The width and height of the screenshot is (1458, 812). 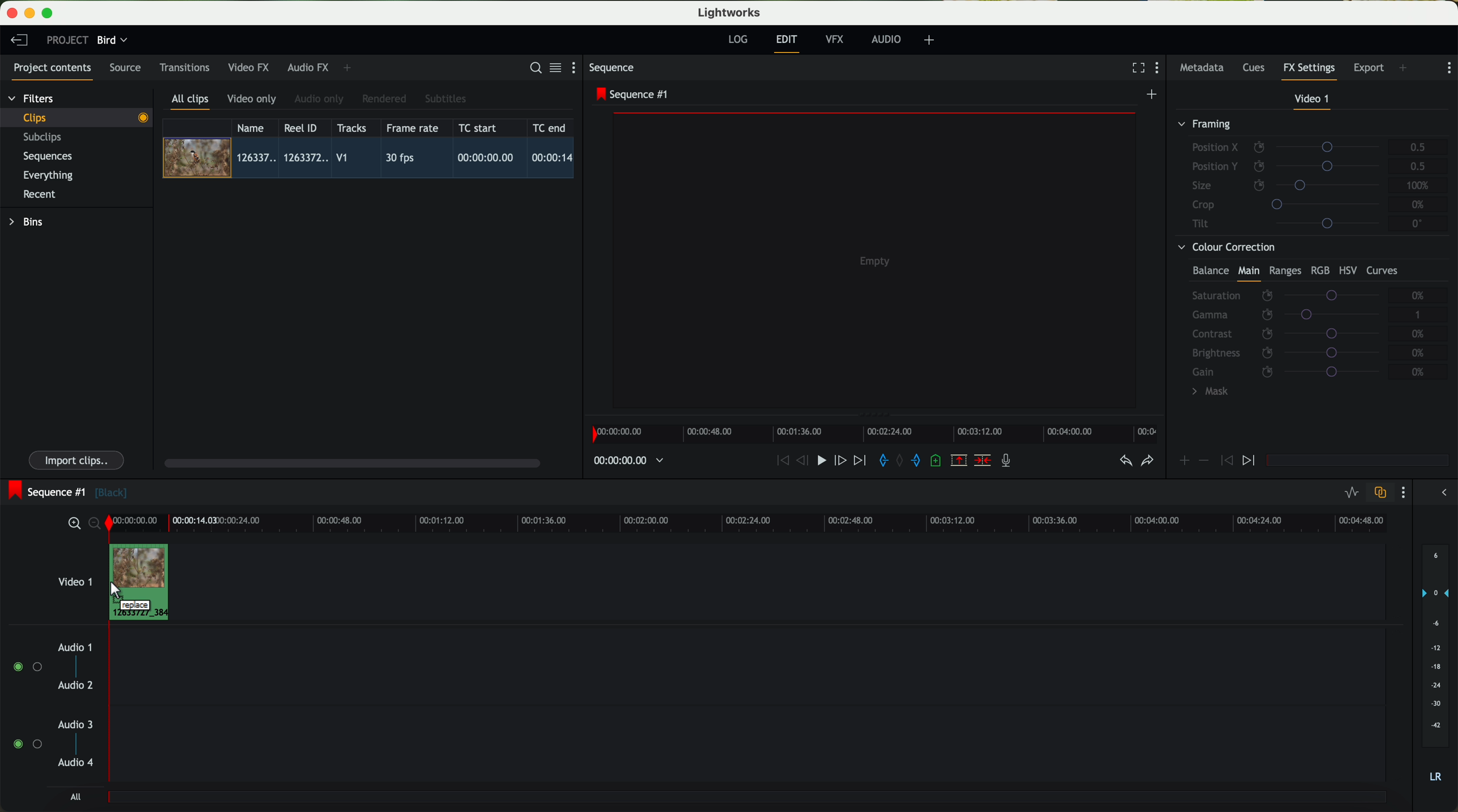 I want to click on audio 1, so click(x=75, y=647).